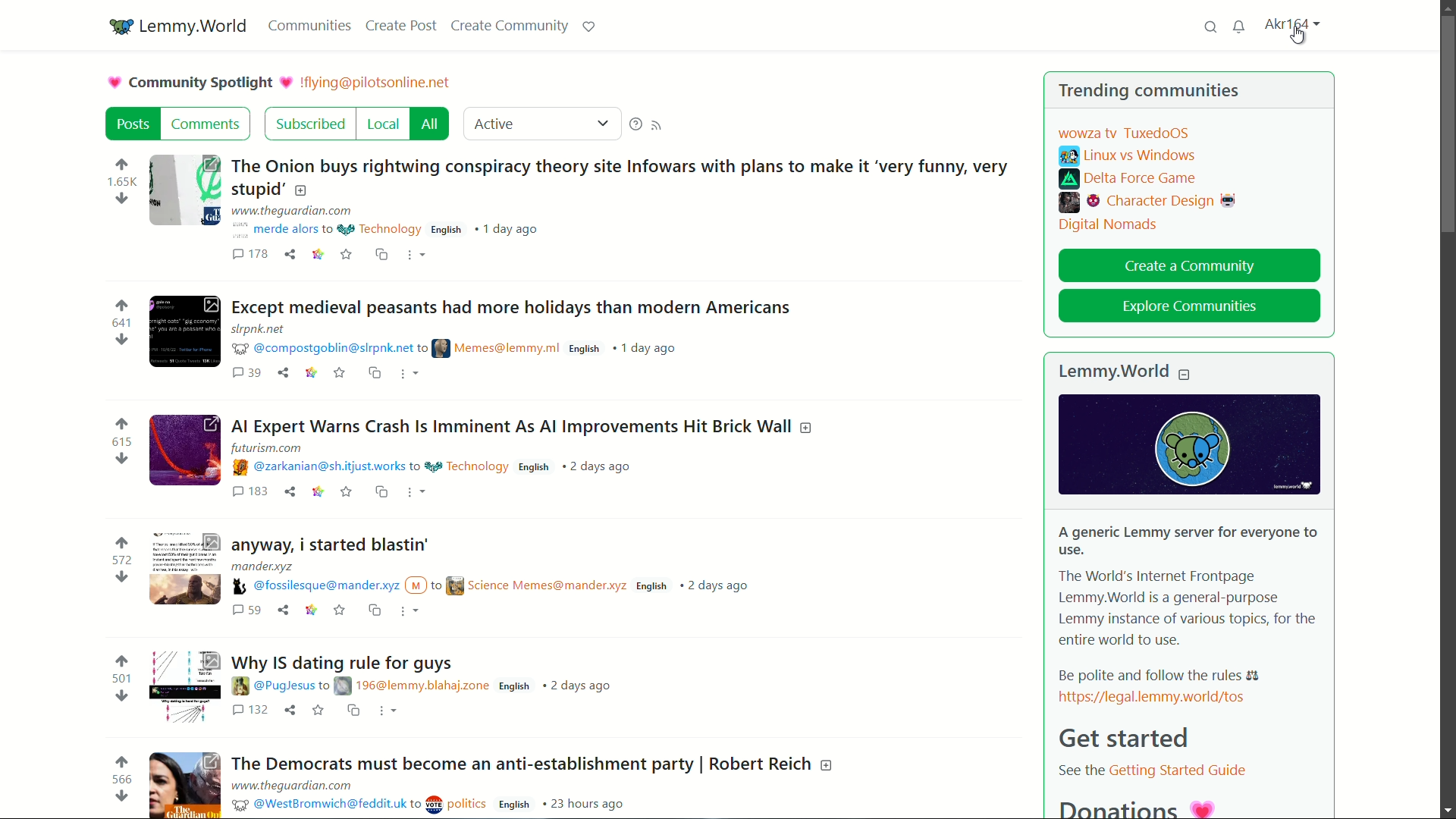 Image resolution: width=1456 pixels, height=819 pixels. What do you see at coordinates (635, 124) in the screenshot?
I see `supporting help` at bounding box center [635, 124].